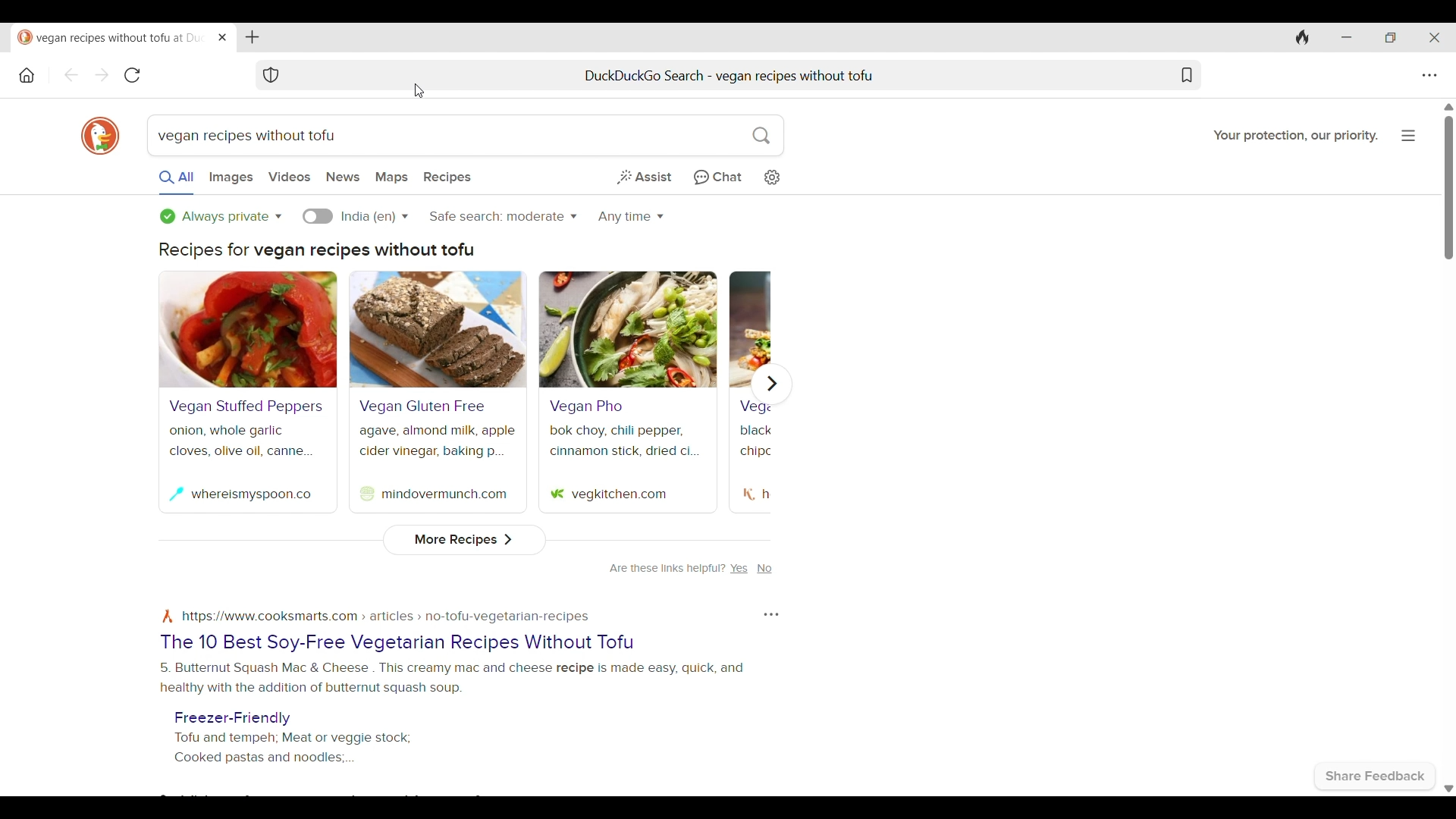 Image resolution: width=1456 pixels, height=819 pixels. I want to click on Cursor position unchaged, so click(419, 91).